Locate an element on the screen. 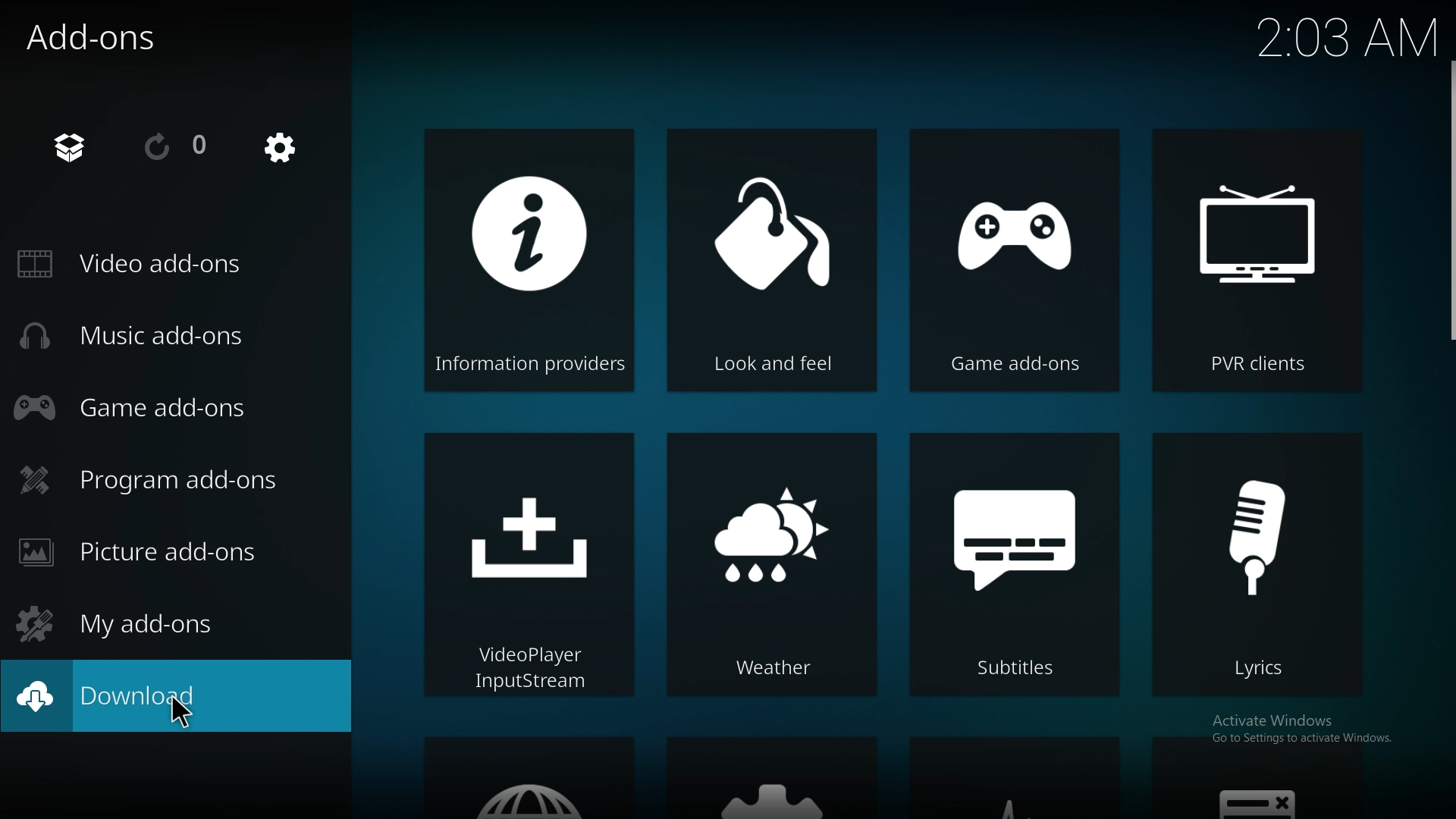  context menus is located at coordinates (1254, 779).